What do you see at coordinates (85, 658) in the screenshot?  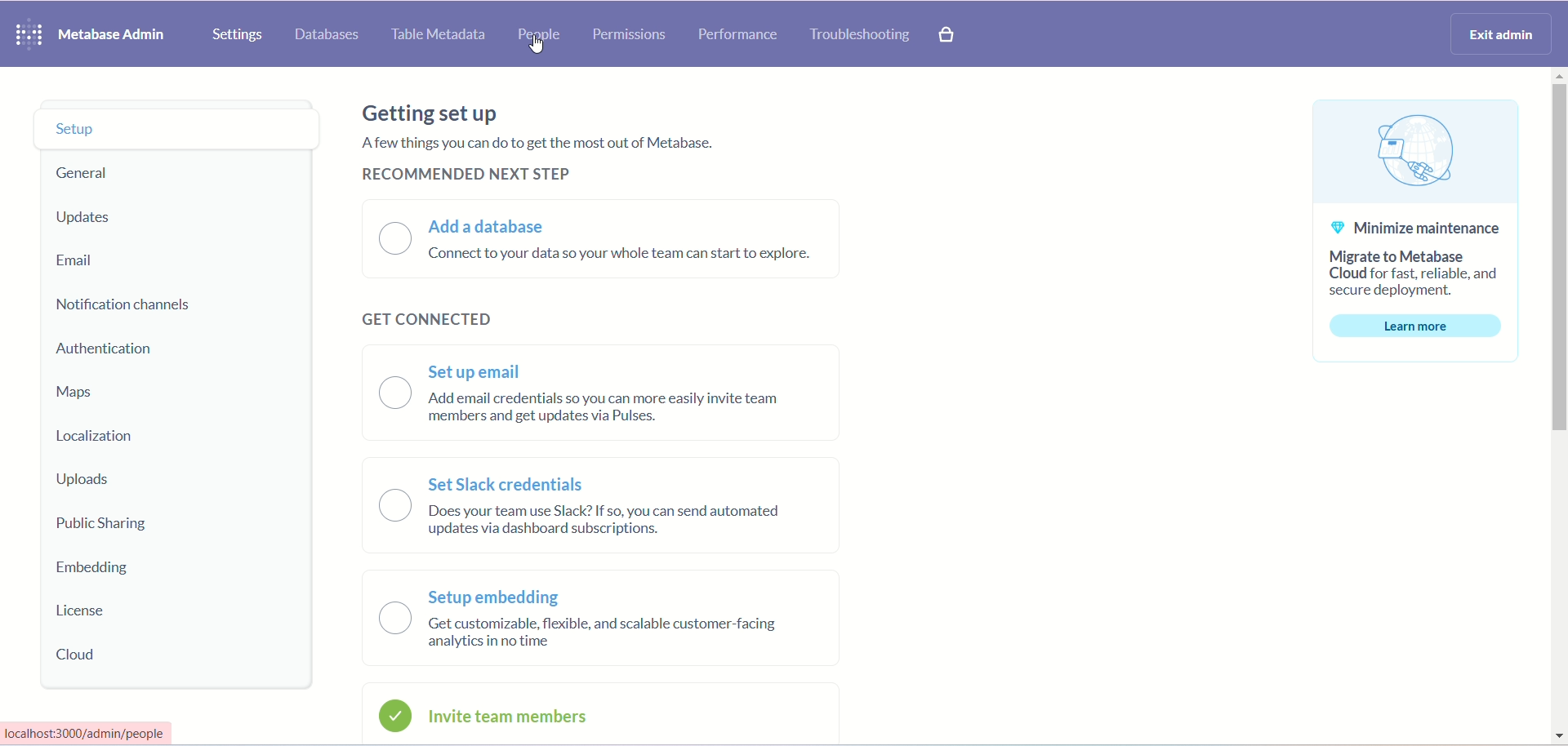 I see `cloud` at bounding box center [85, 658].